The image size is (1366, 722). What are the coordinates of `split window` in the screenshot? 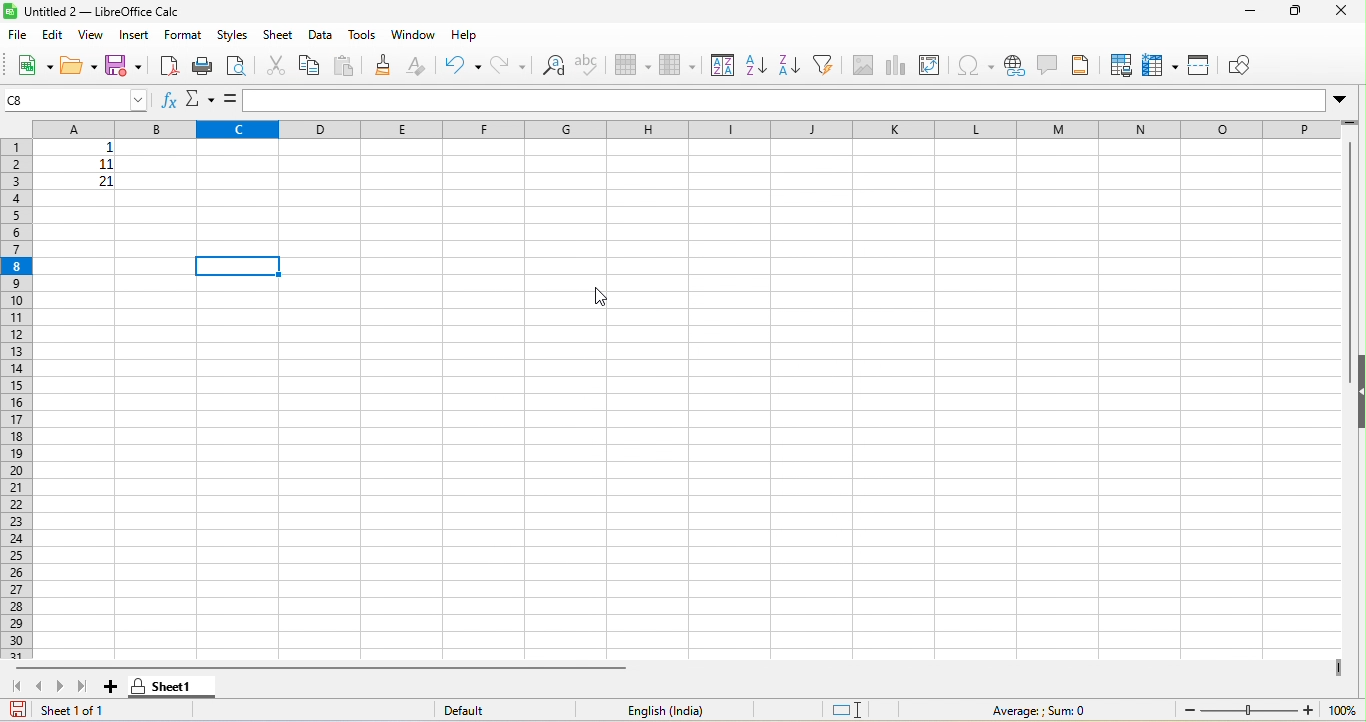 It's located at (1211, 67).